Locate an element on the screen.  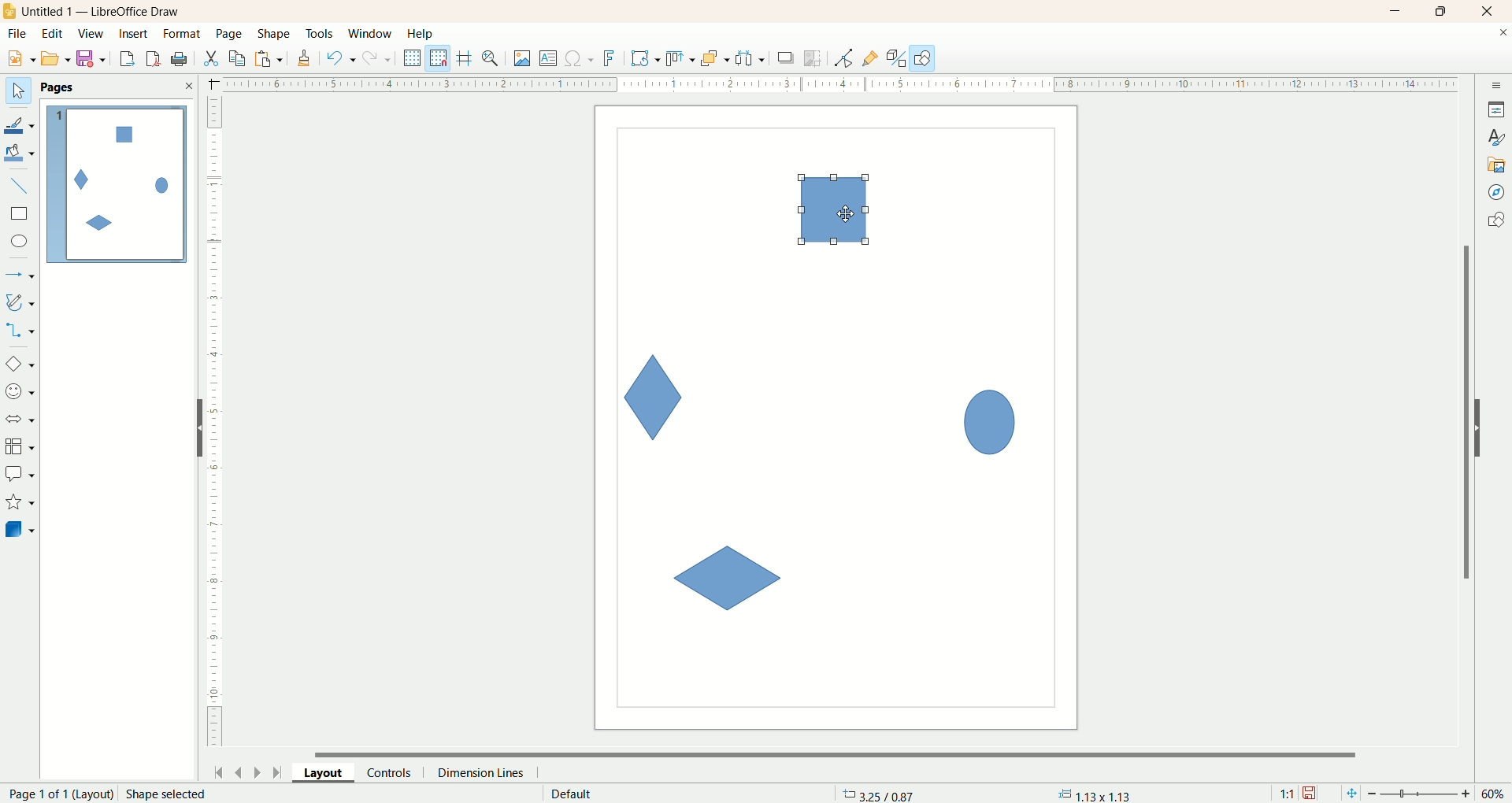
close is located at coordinates (188, 86).